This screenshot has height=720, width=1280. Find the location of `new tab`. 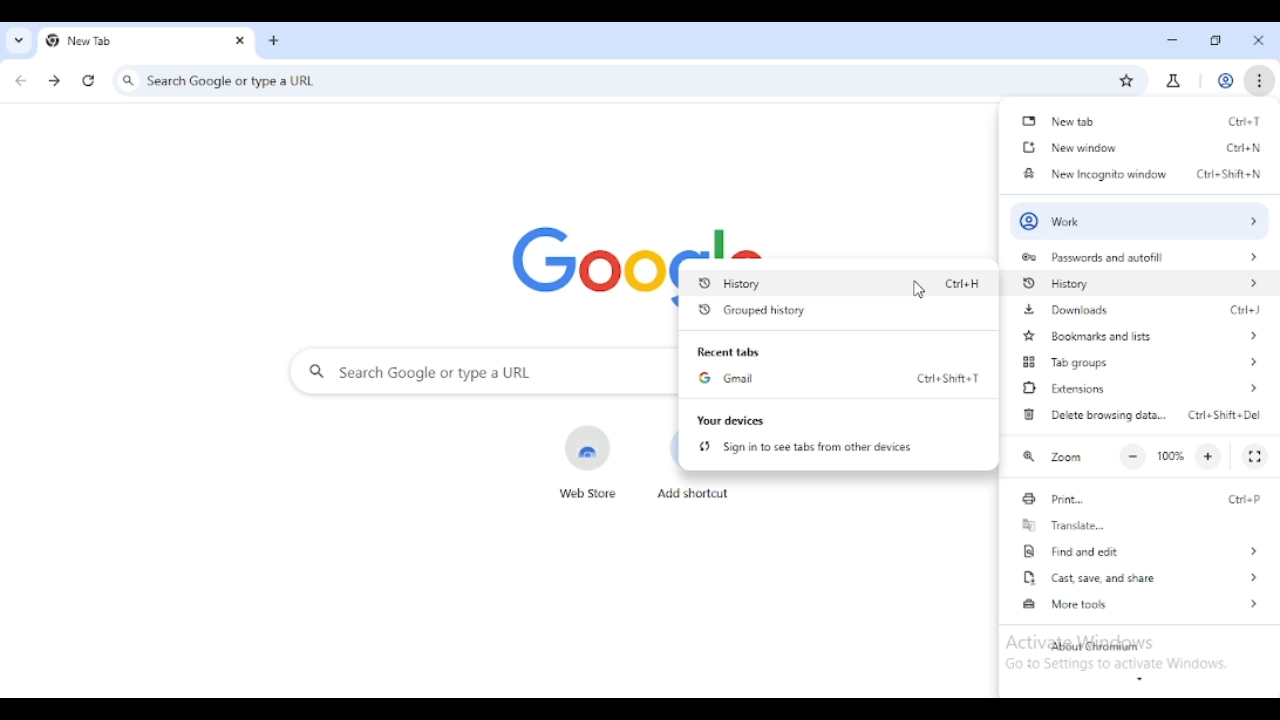

new tab is located at coordinates (1058, 120).